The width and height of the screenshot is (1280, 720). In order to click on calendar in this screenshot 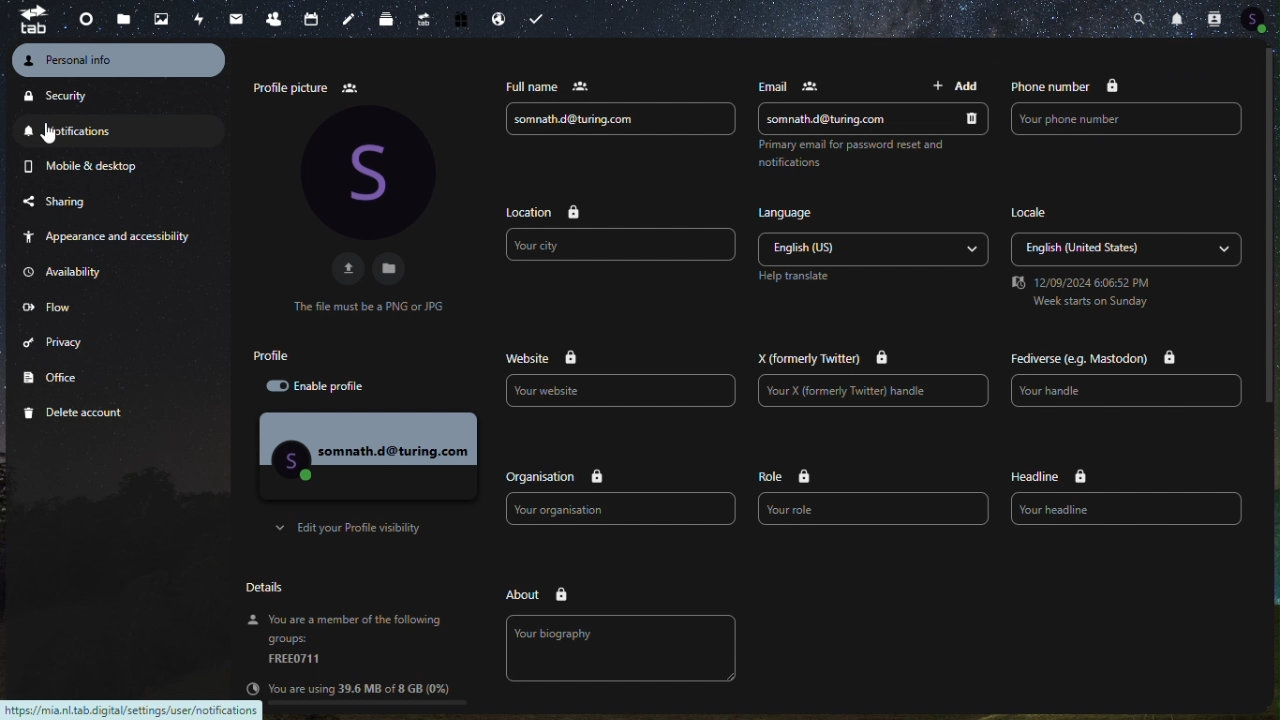, I will do `click(314, 17)`.